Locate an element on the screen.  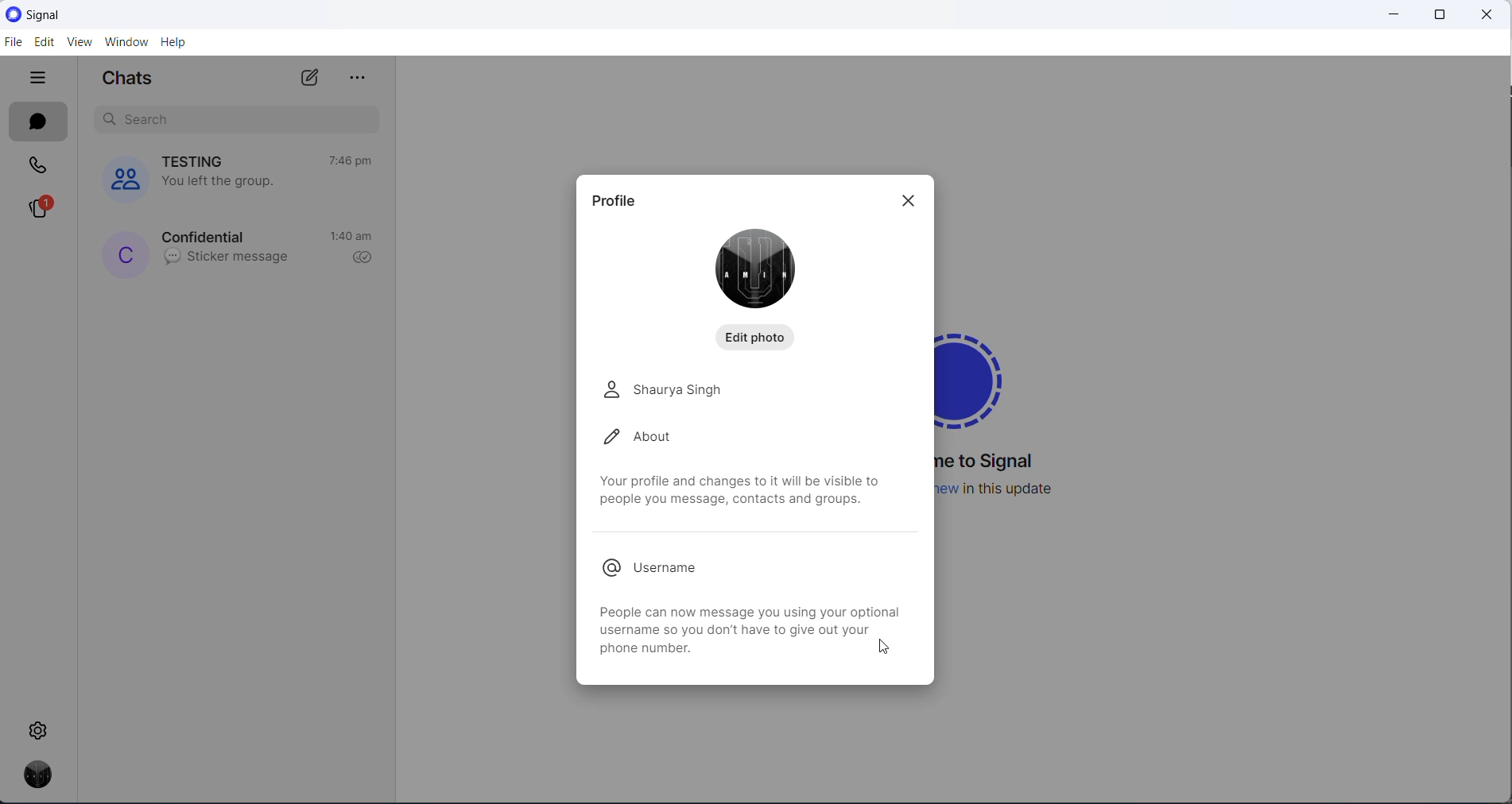
chats is located at coordinates (38, 122).